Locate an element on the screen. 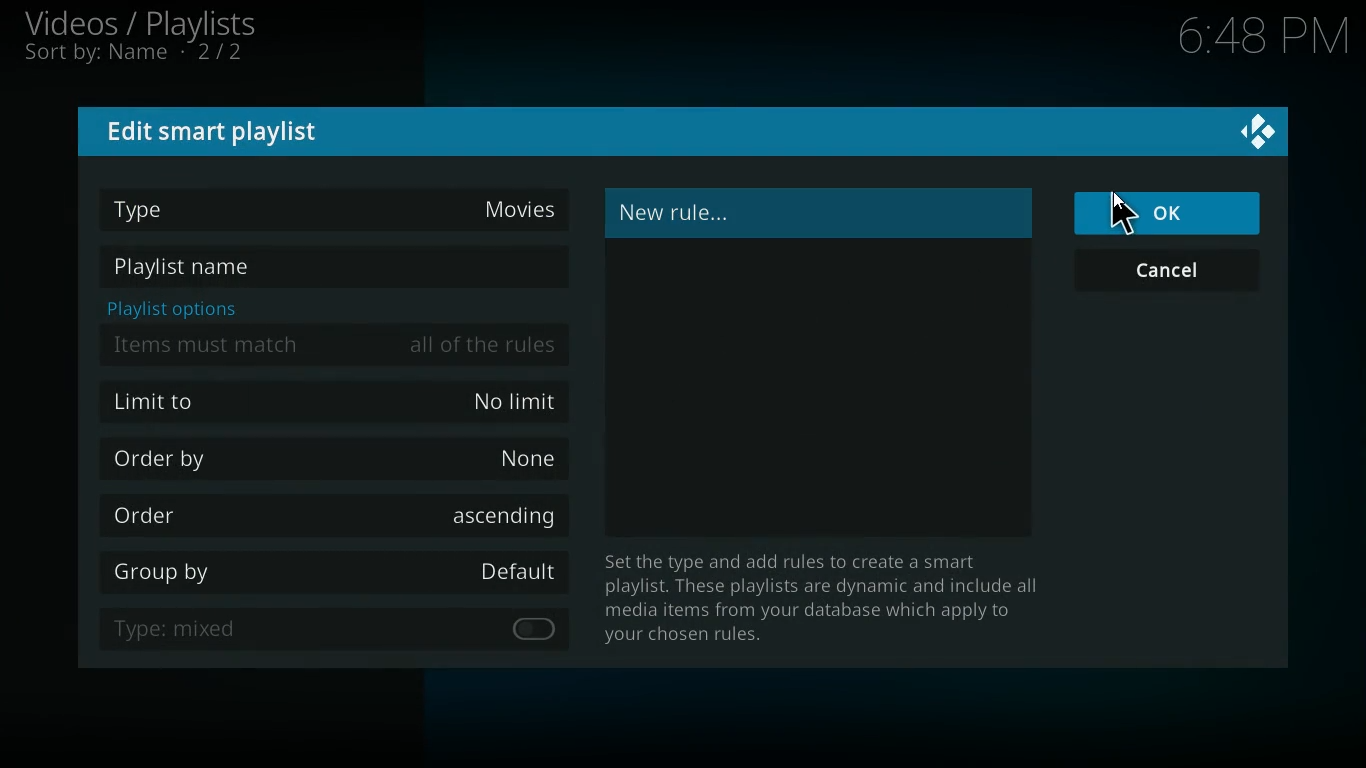  type  is located at coordinates (339, 206).